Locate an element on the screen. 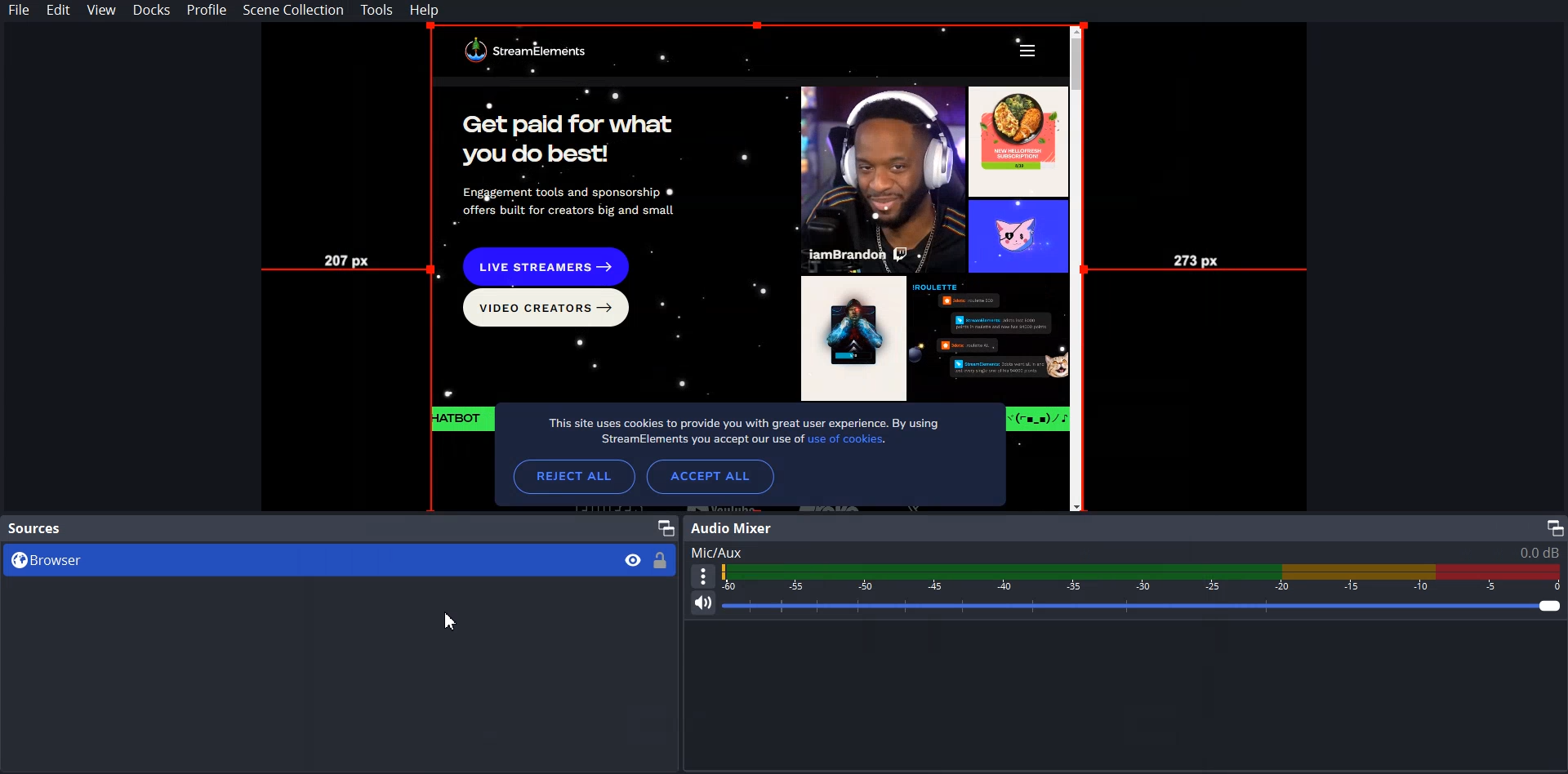 The image size is (1568, 774). Profile is located at coordinates (207, 11).